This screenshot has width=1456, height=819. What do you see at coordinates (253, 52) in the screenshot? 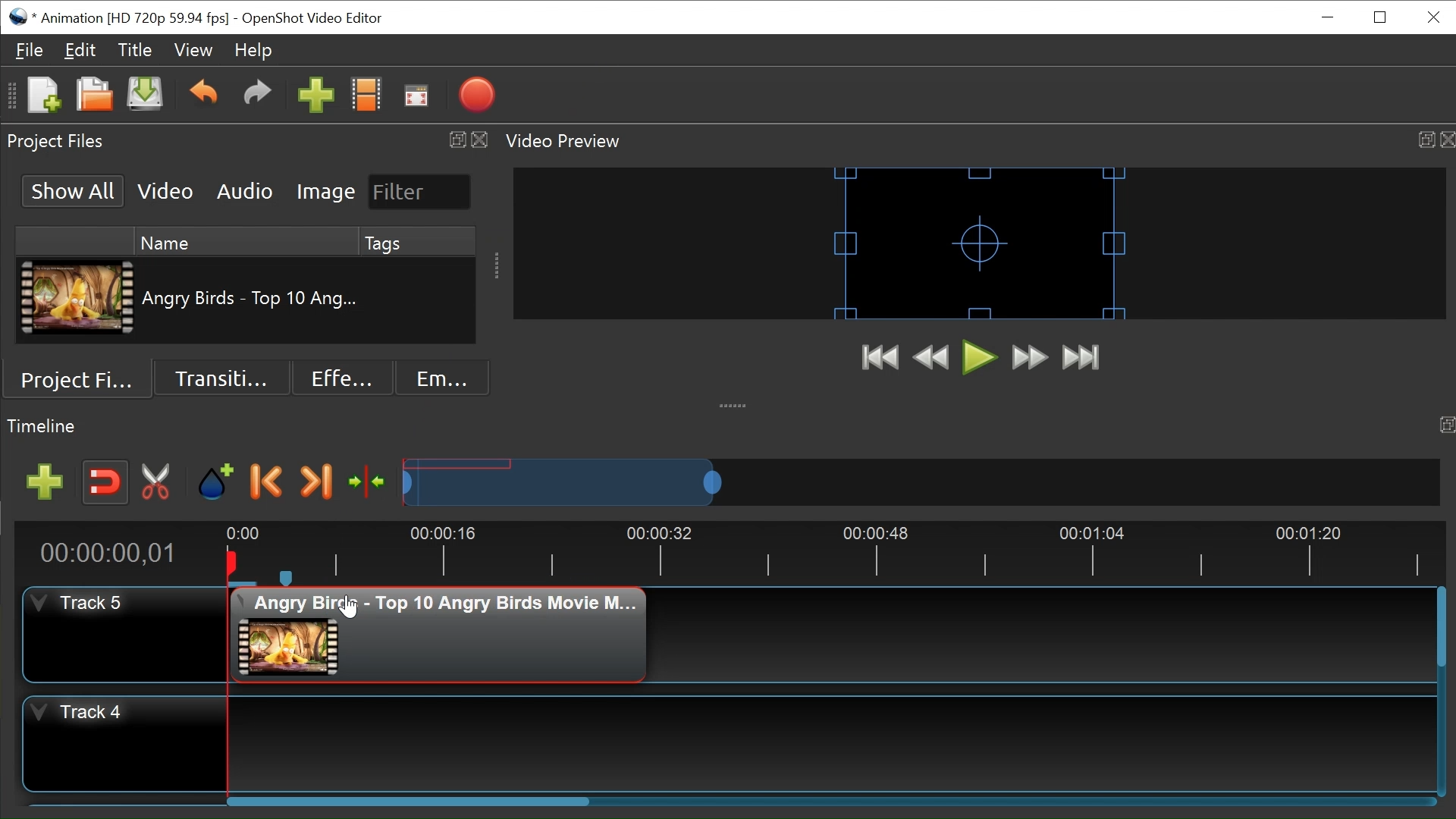
I see `Help` at bounding box center [253, 52].